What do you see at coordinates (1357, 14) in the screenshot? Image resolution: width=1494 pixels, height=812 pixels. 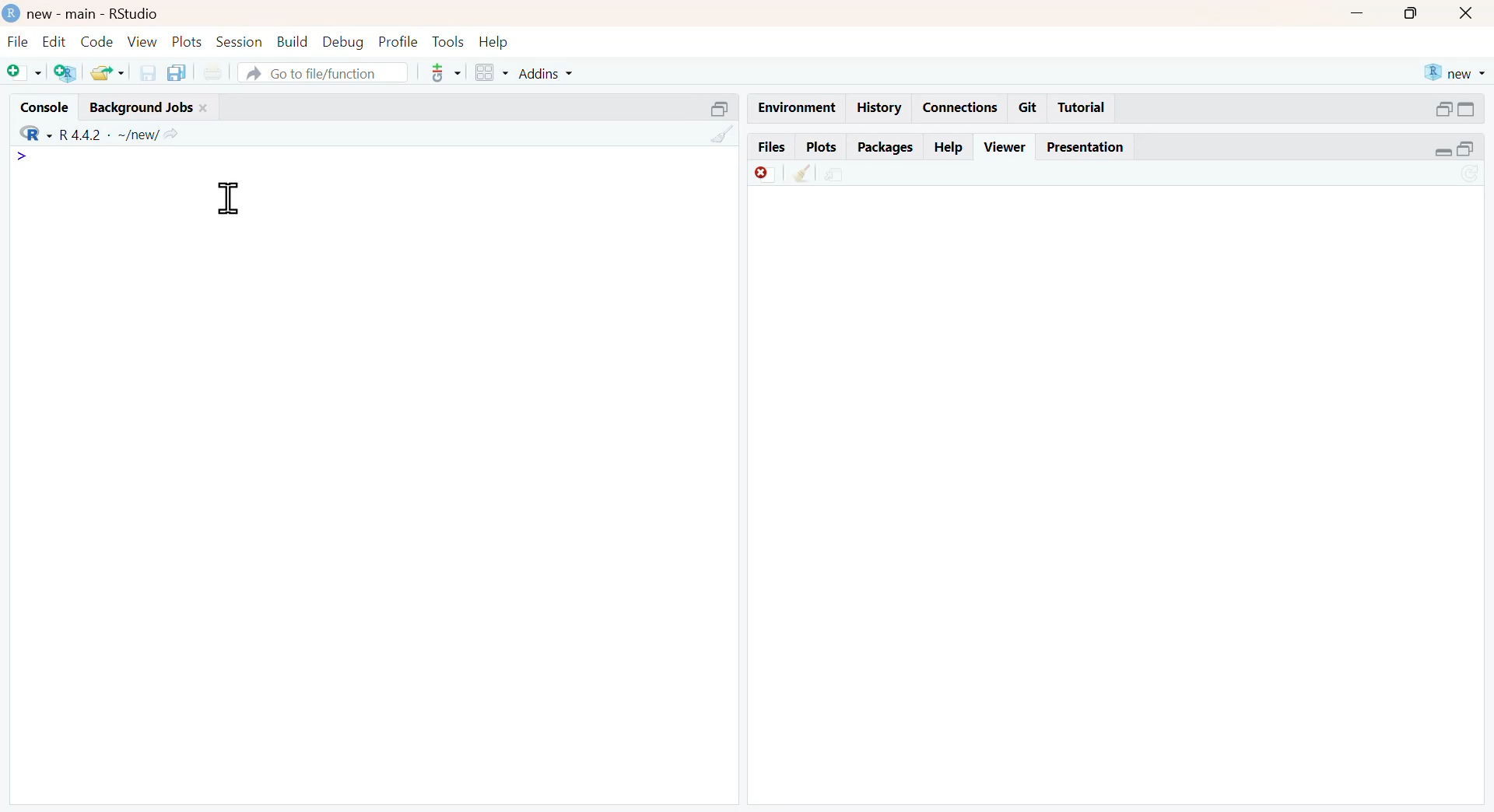 I see `minimise` at bounding box center [1357, 14].